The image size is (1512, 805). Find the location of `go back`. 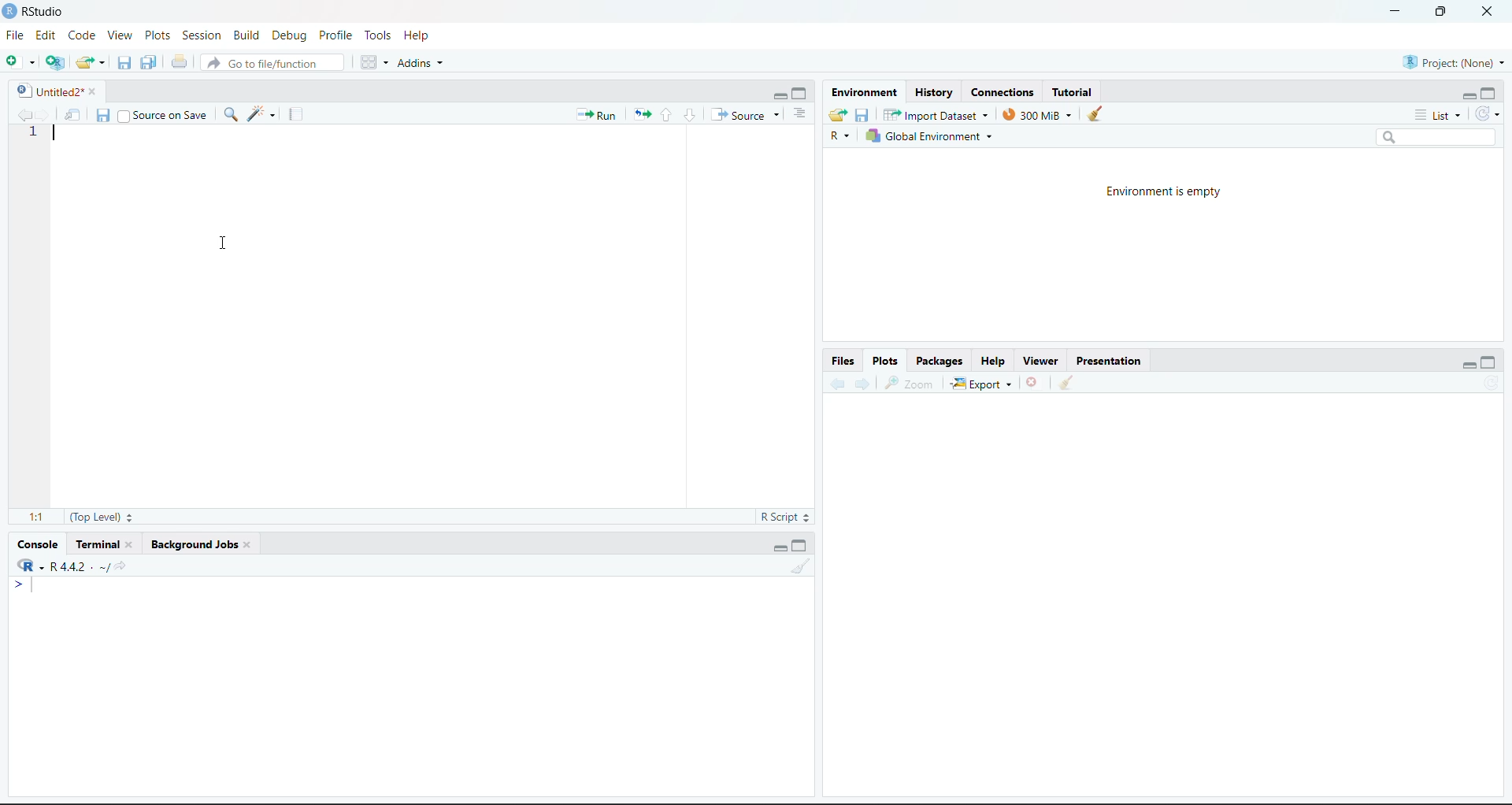

go back is located at coordinates (833, 385).